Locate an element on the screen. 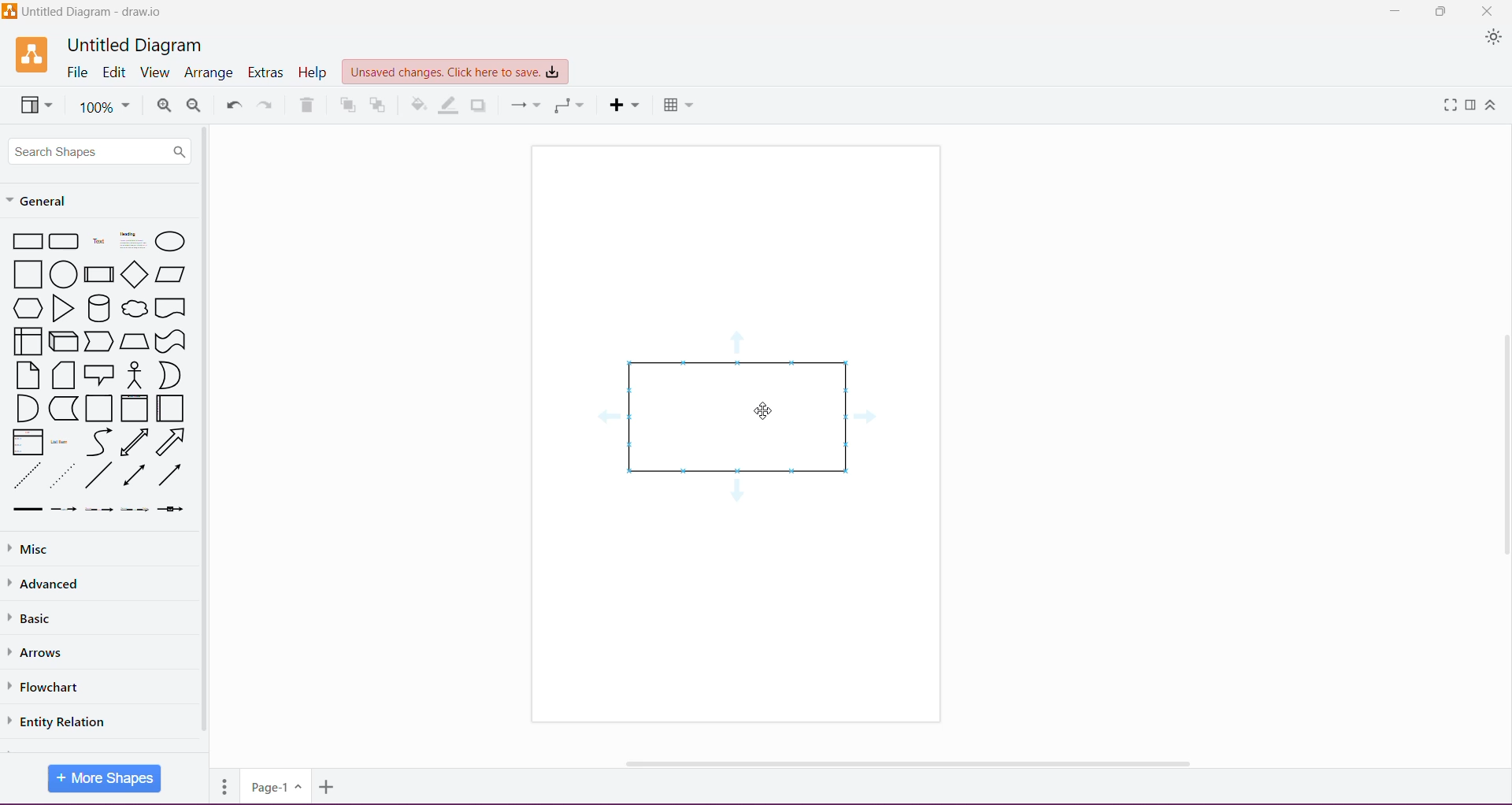  To Back is located at coordinates (379, 106).